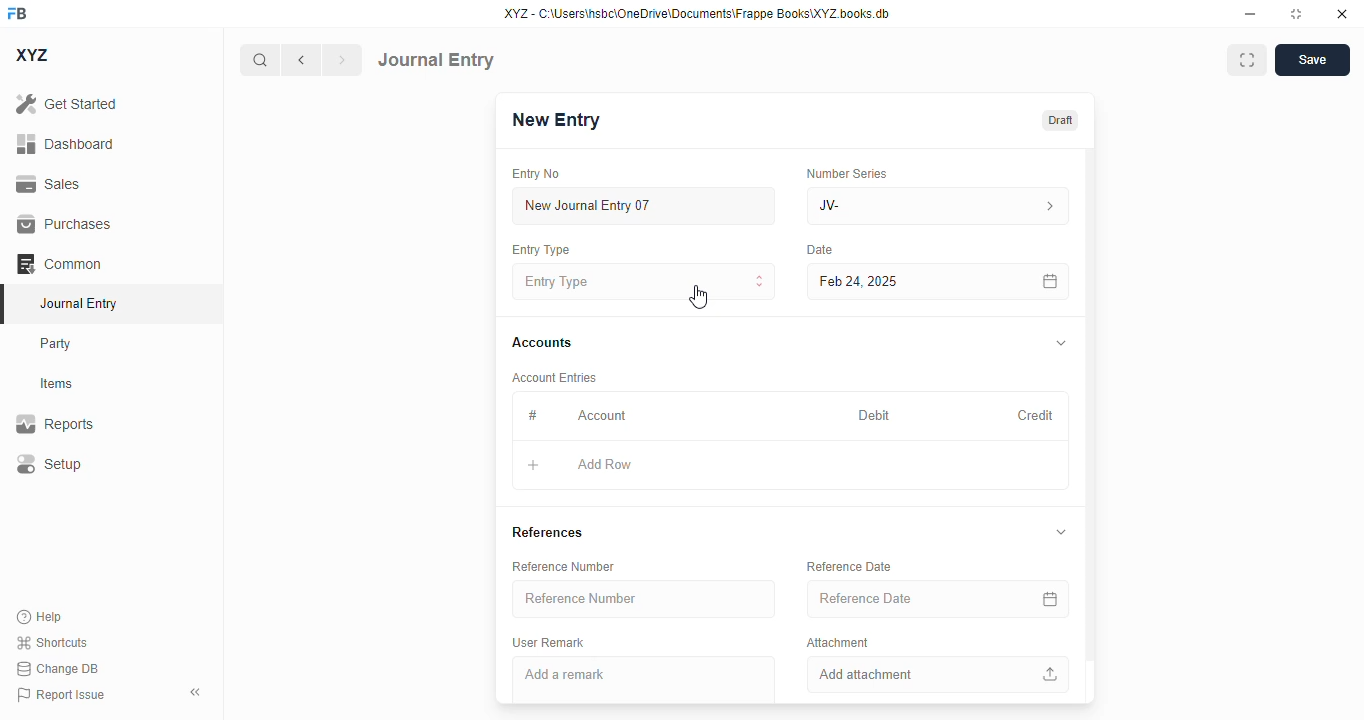 The height and width of the screenshot is (720, 1364). I want to click on draft, so click(1061, 119).